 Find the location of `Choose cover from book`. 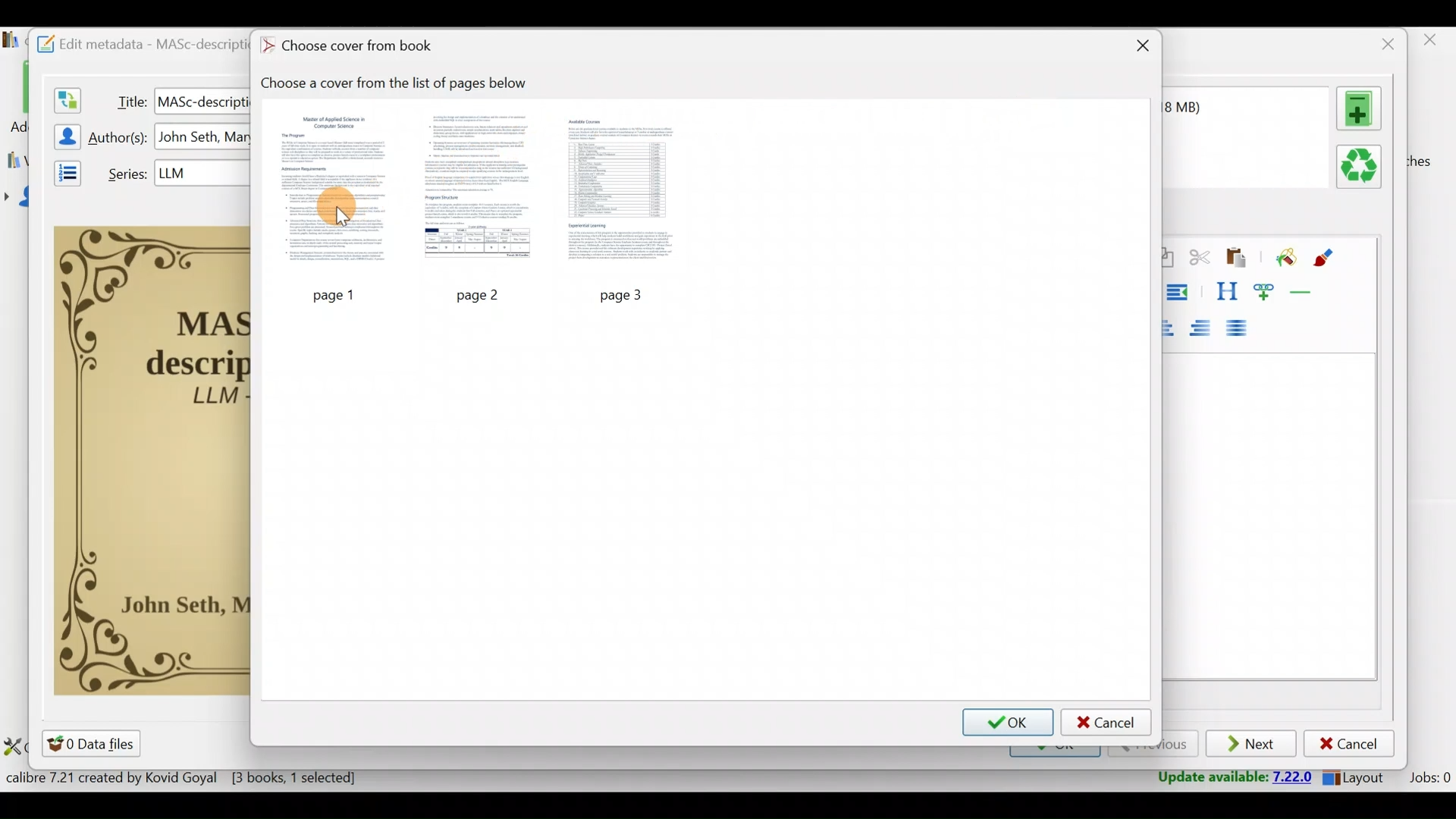

Choose cover from book is located at coordinates (351, 47).